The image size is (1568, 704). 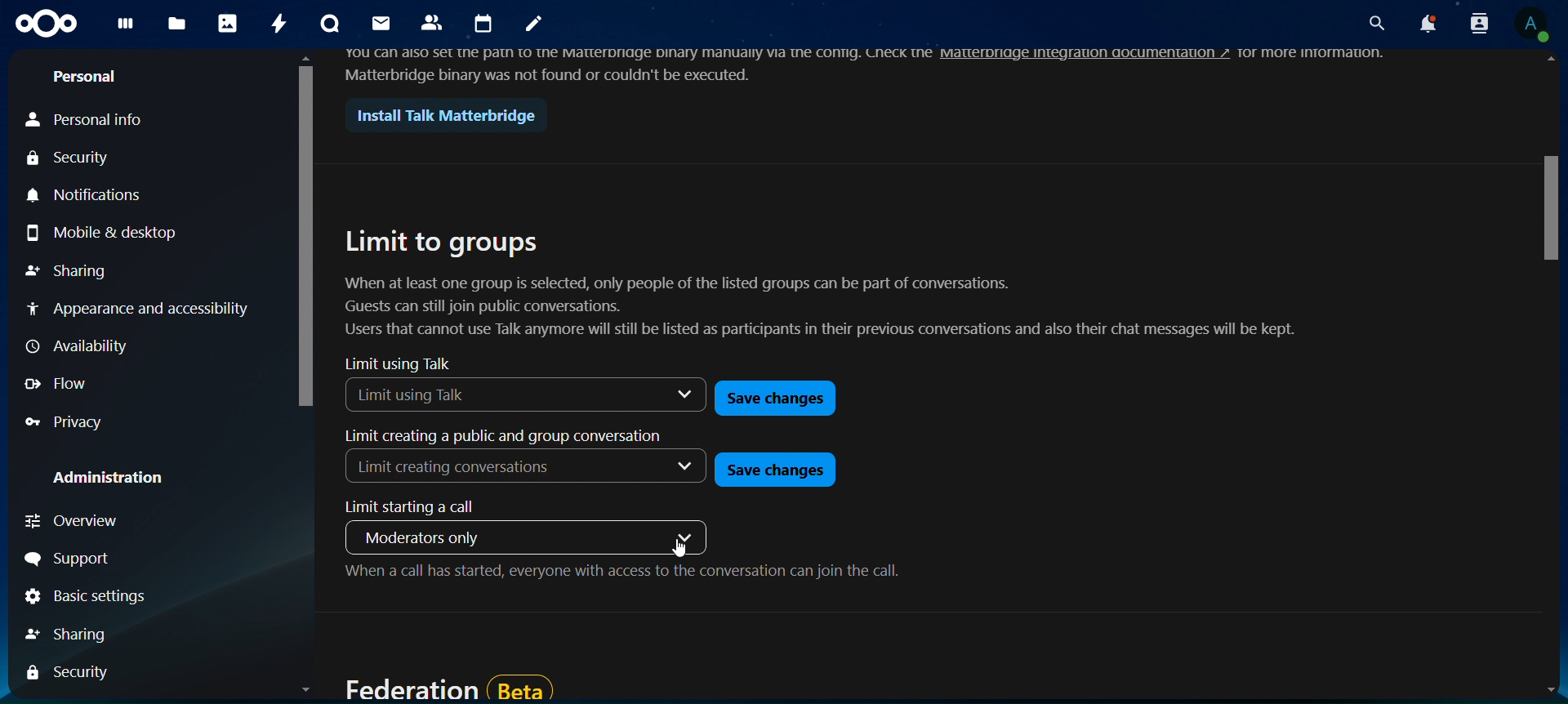 I want to click on limit starting a call, so click(x=421, y=507).